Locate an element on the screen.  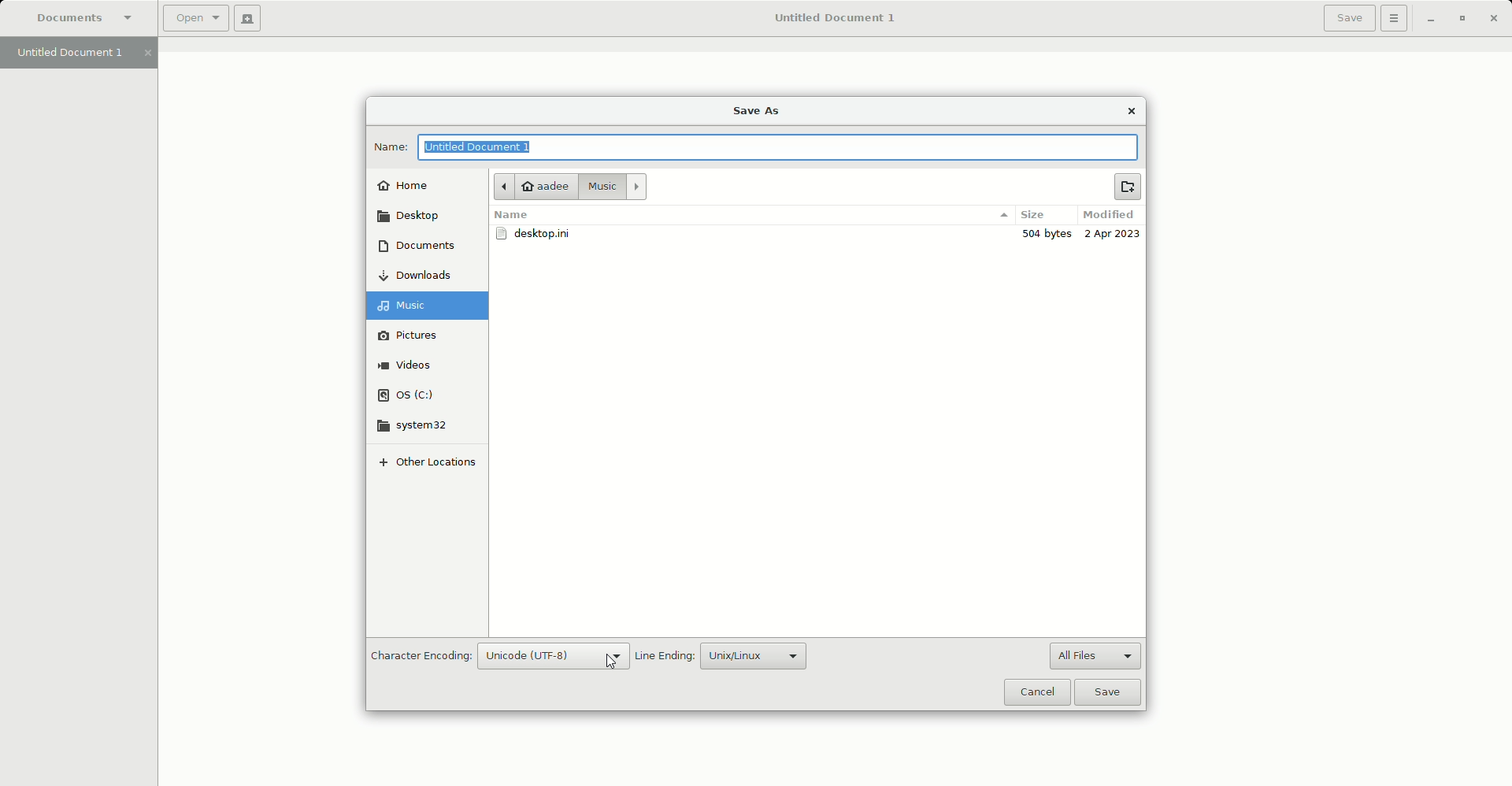
Name is located at coordinates (388, 146).